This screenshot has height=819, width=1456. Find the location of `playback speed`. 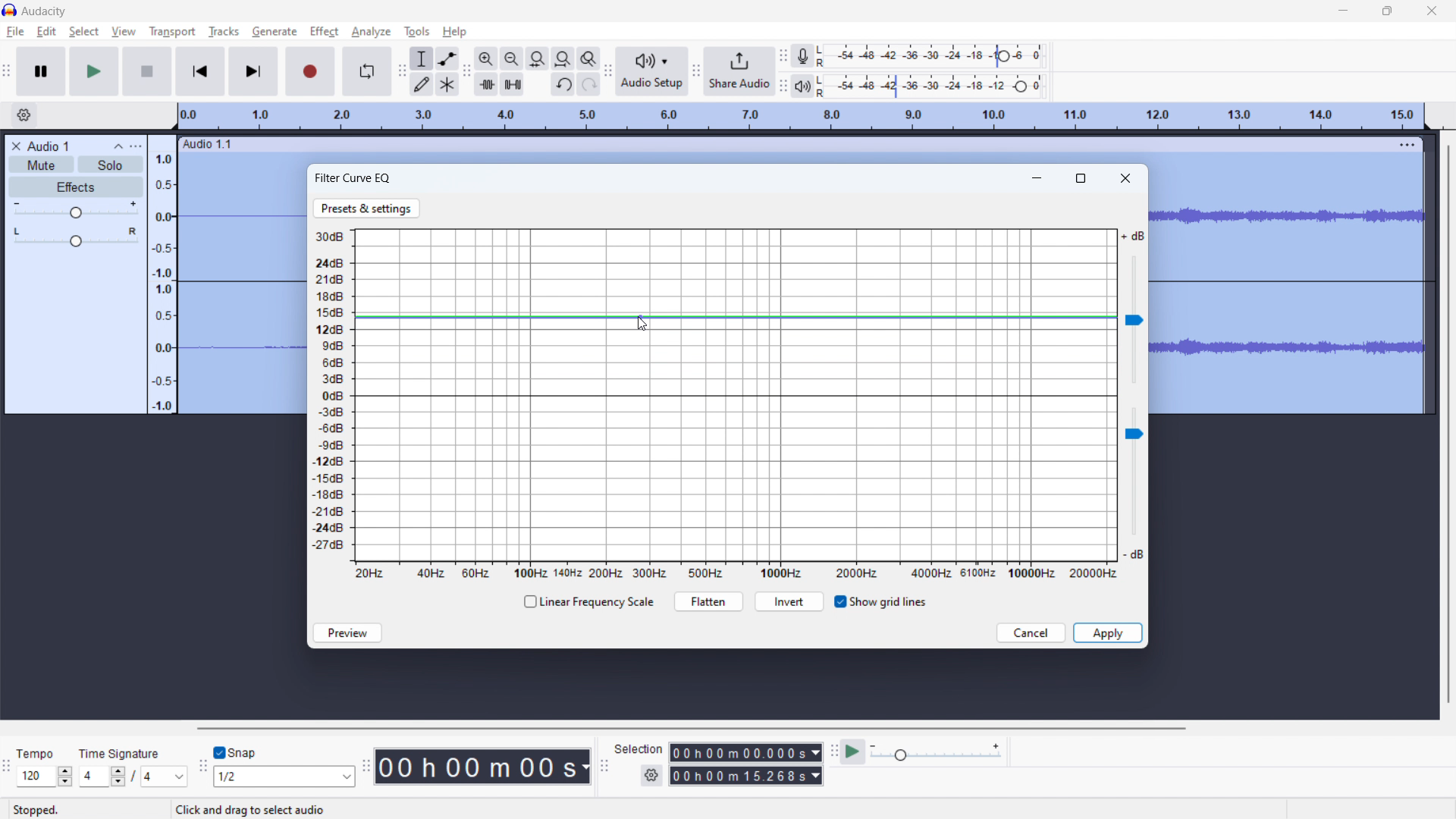

playback speed is located at coordinates (937, 753).